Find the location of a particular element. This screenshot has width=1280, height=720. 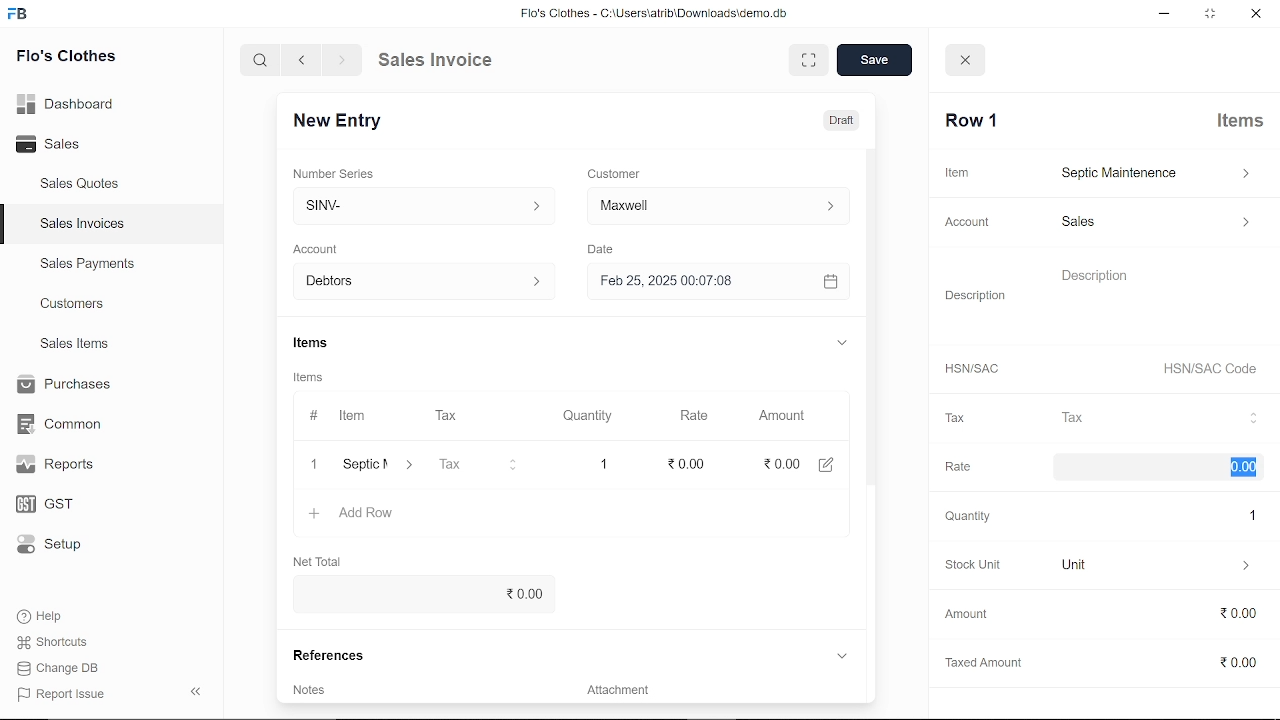

Setup is located at coordinates (54, 544).